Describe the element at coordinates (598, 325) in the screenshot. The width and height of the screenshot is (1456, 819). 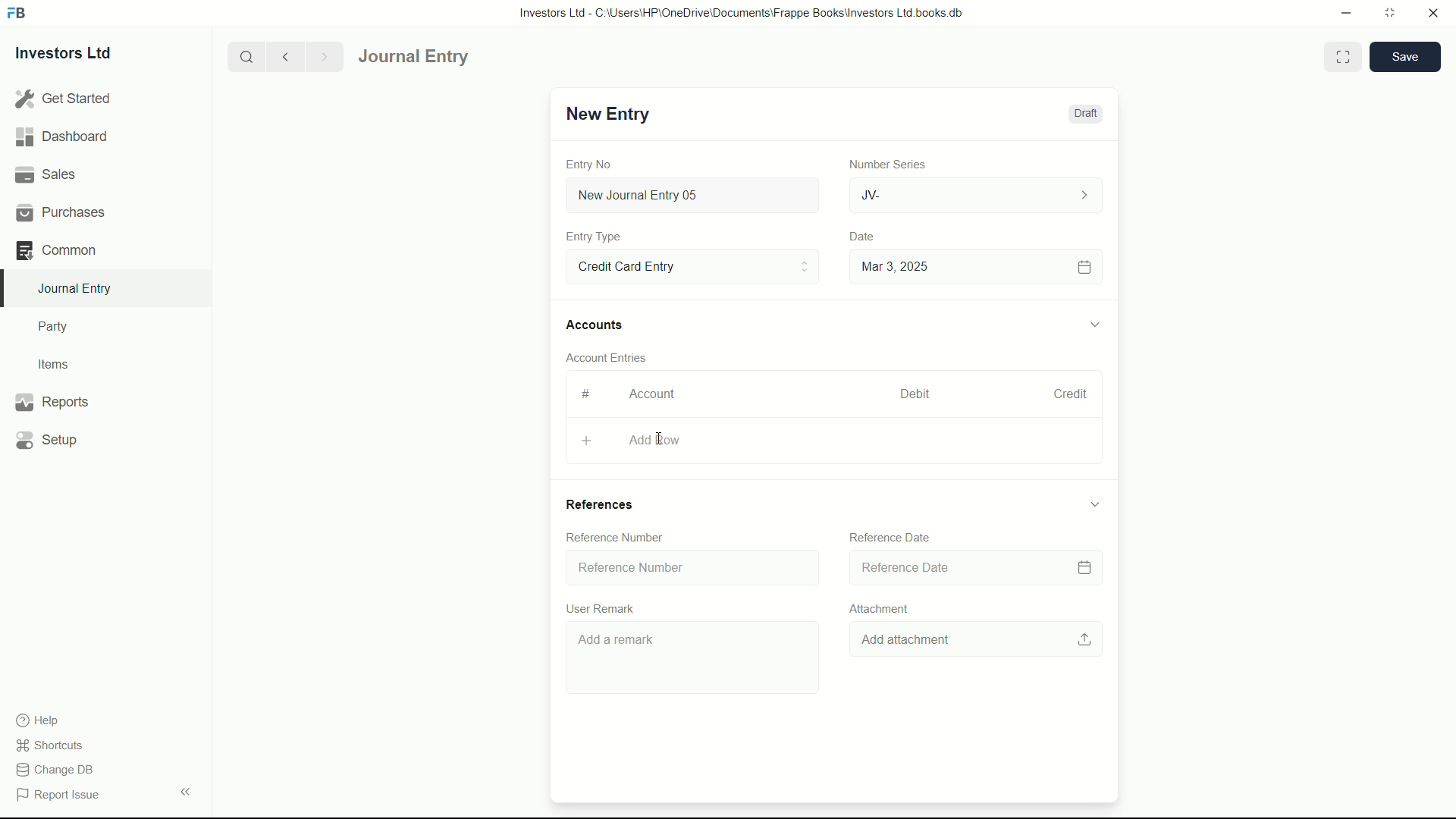
I see `Accounts` at that location.